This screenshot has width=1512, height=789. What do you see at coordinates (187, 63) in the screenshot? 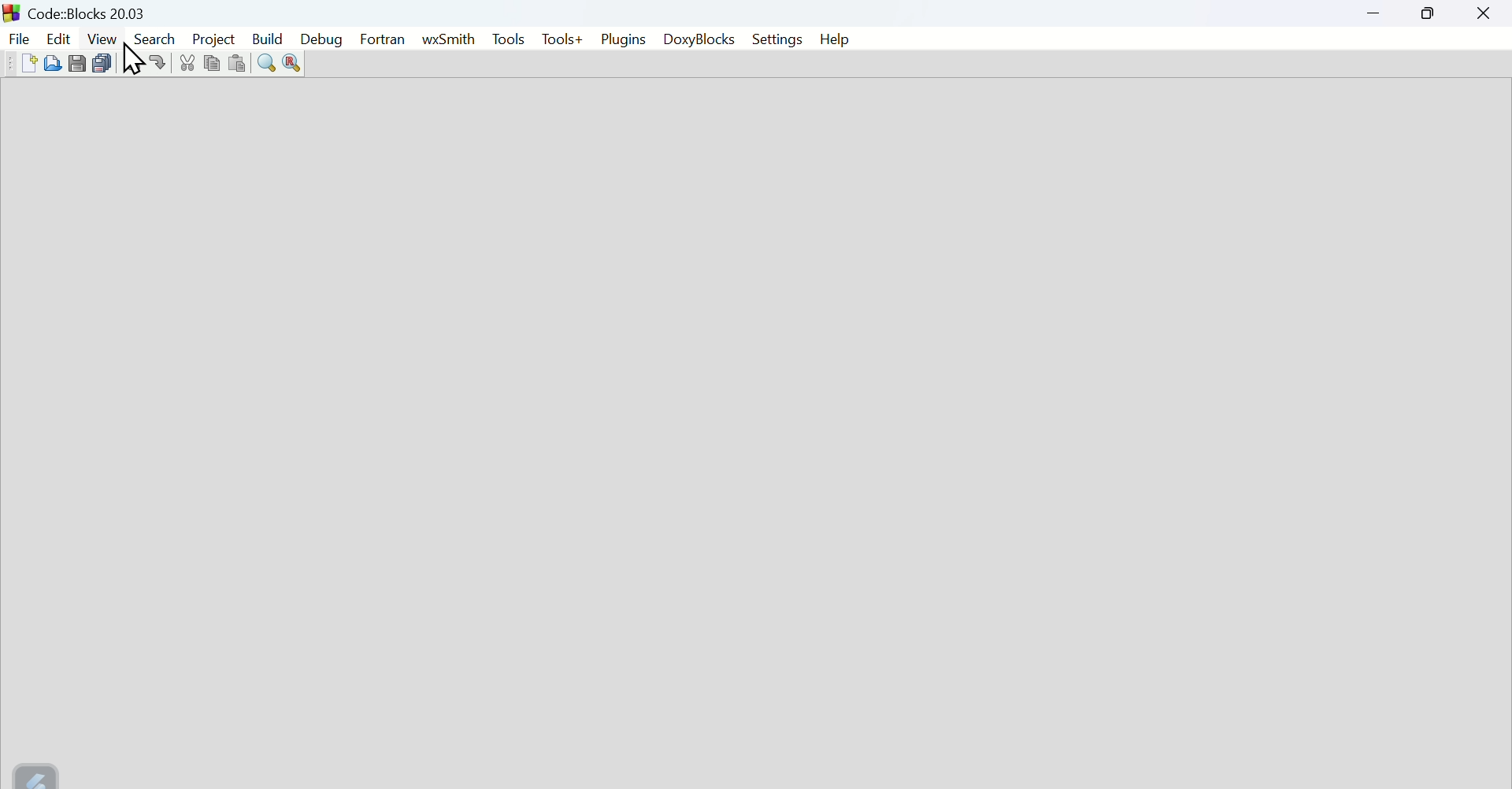
I see `Cut` at bounding box center [187, 63].